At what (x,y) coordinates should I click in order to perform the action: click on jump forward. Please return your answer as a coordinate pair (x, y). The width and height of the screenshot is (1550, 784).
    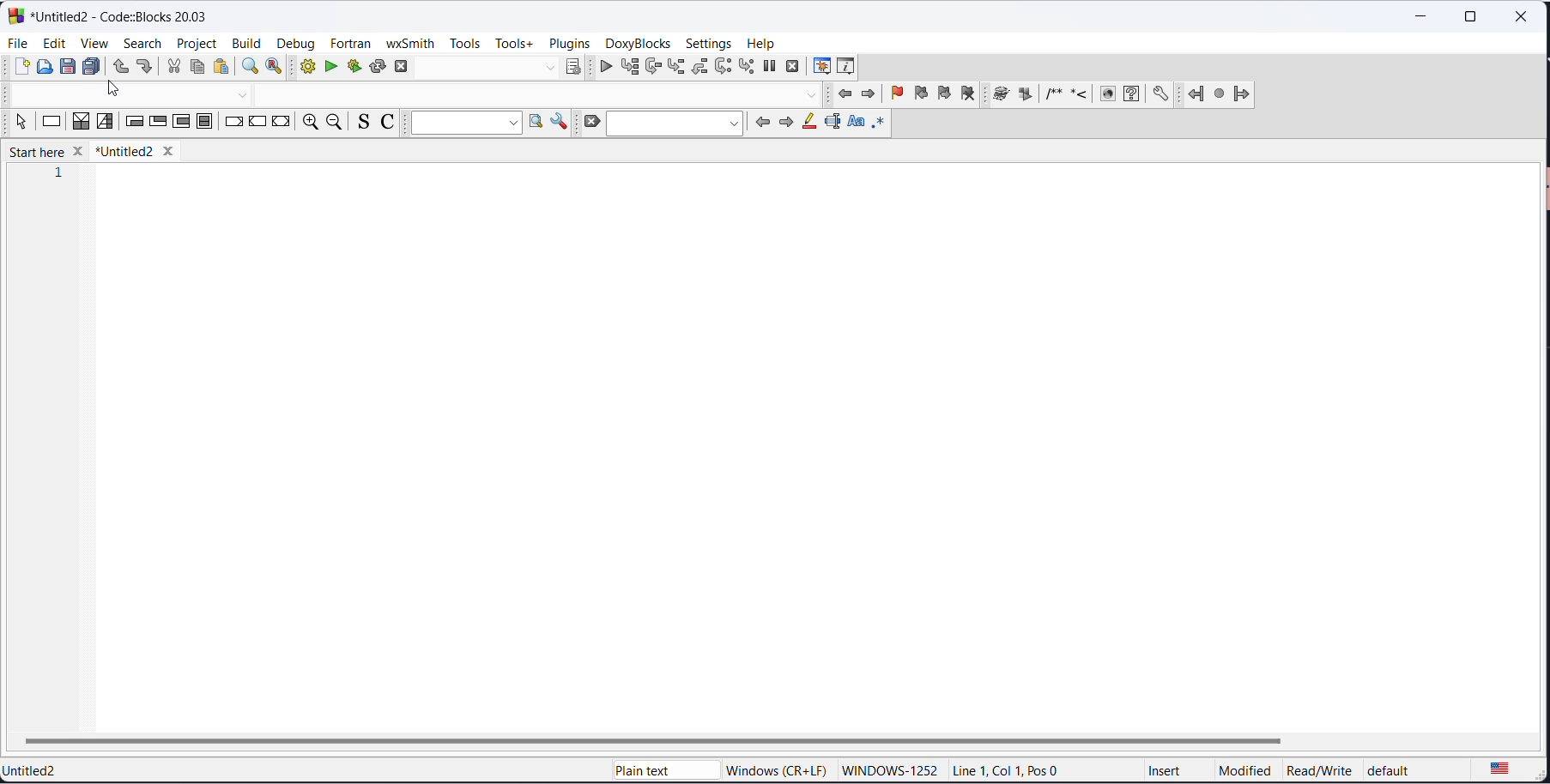
    Looking at the image, I should click on (1243, 96).